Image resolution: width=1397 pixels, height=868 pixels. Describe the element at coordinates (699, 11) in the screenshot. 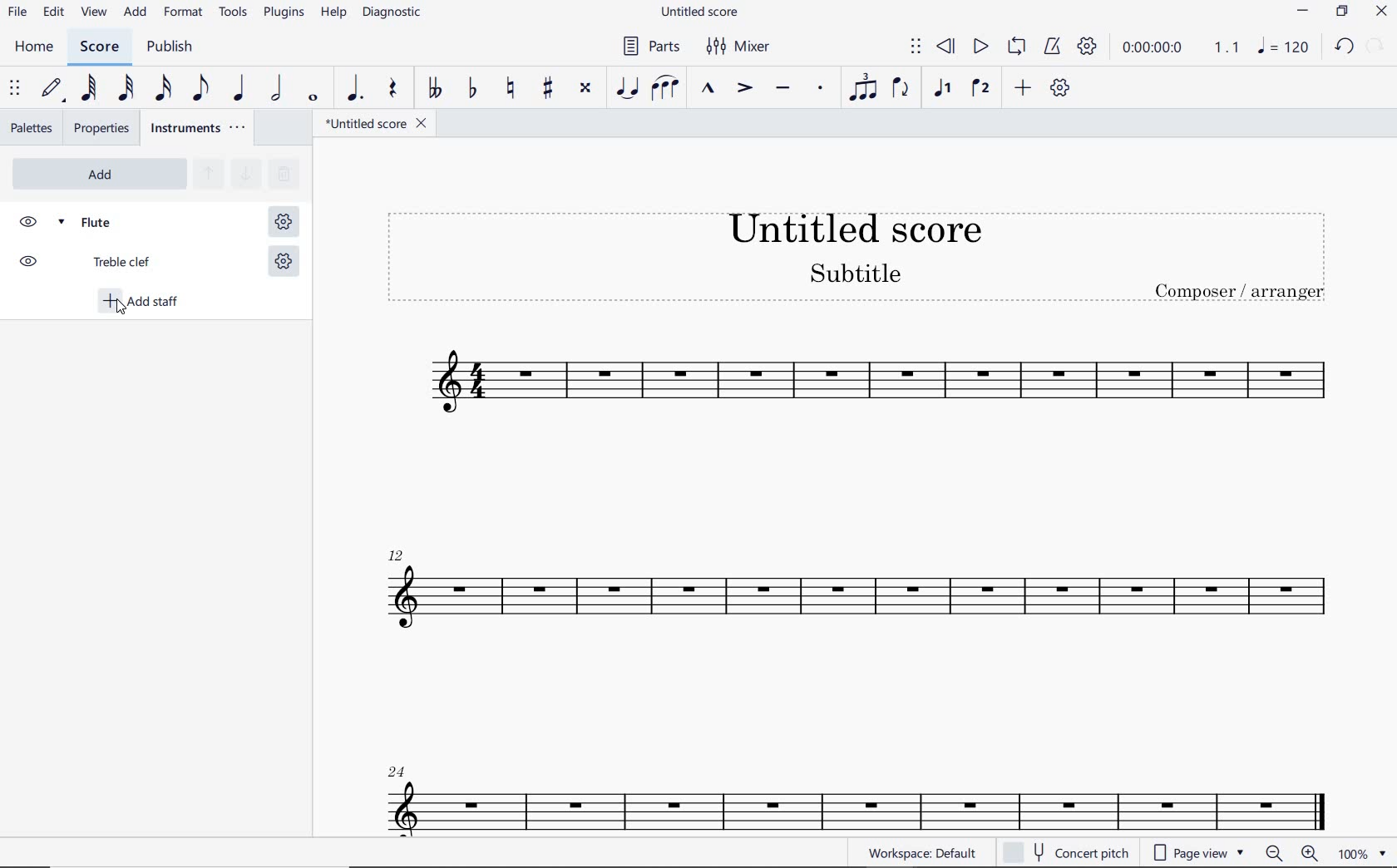

I see `FILE NAME` at that location.